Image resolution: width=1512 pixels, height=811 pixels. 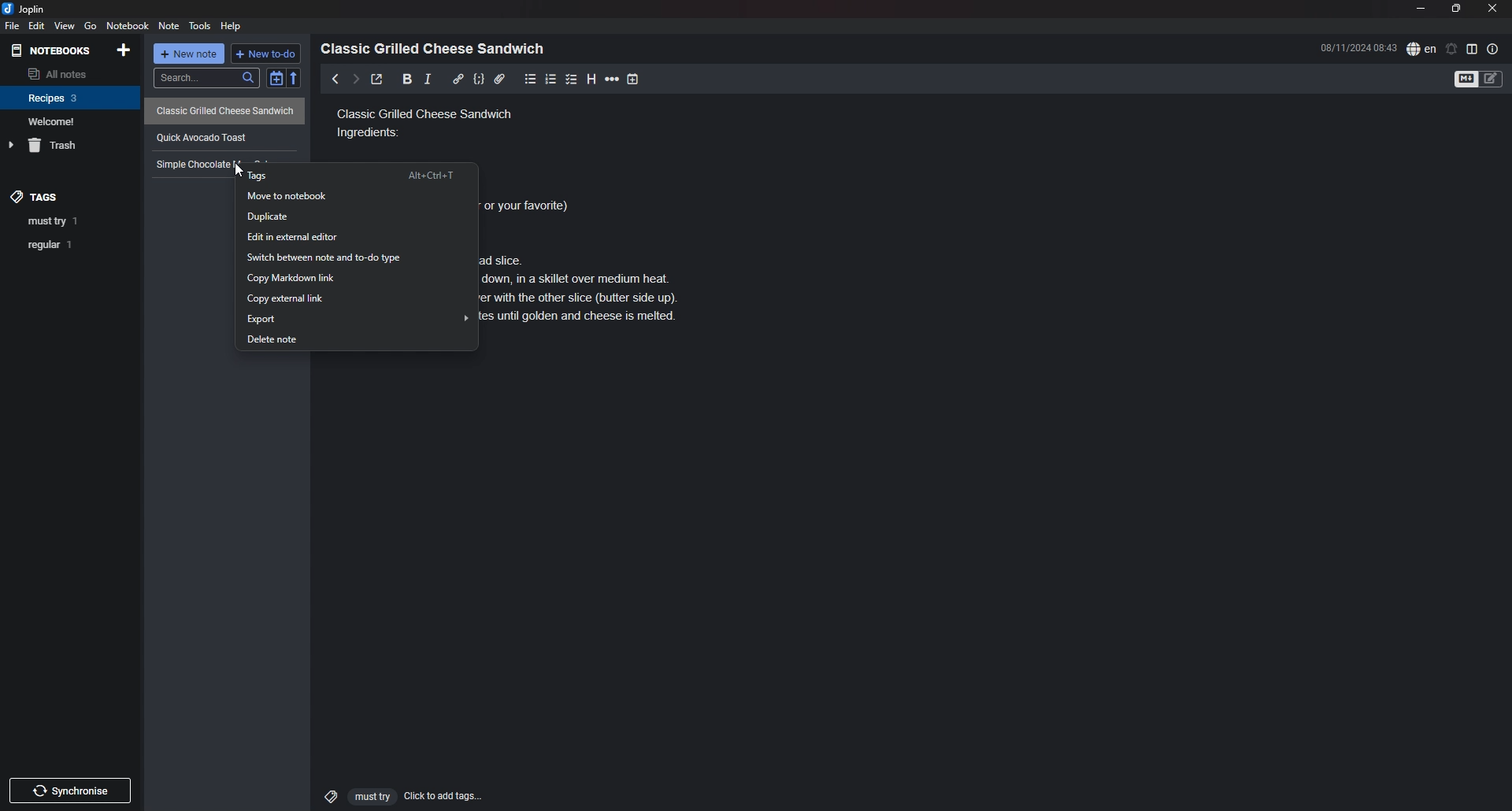 What do you see at coordinates (72, 222) in the screenshot?
I see `tag` at bounding box center [72, 222].